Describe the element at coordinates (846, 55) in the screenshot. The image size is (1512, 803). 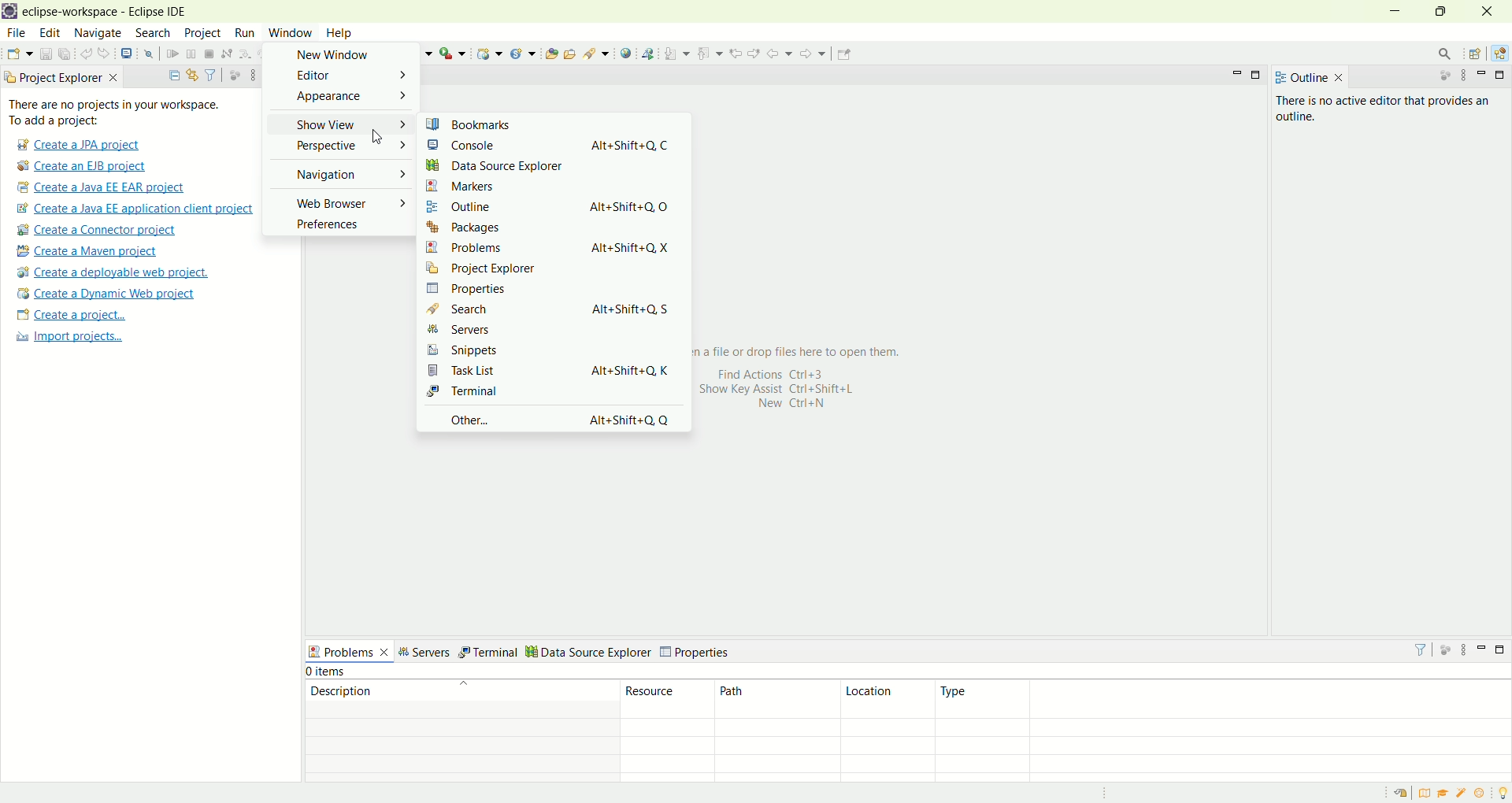
I see `pin editor` at that location.